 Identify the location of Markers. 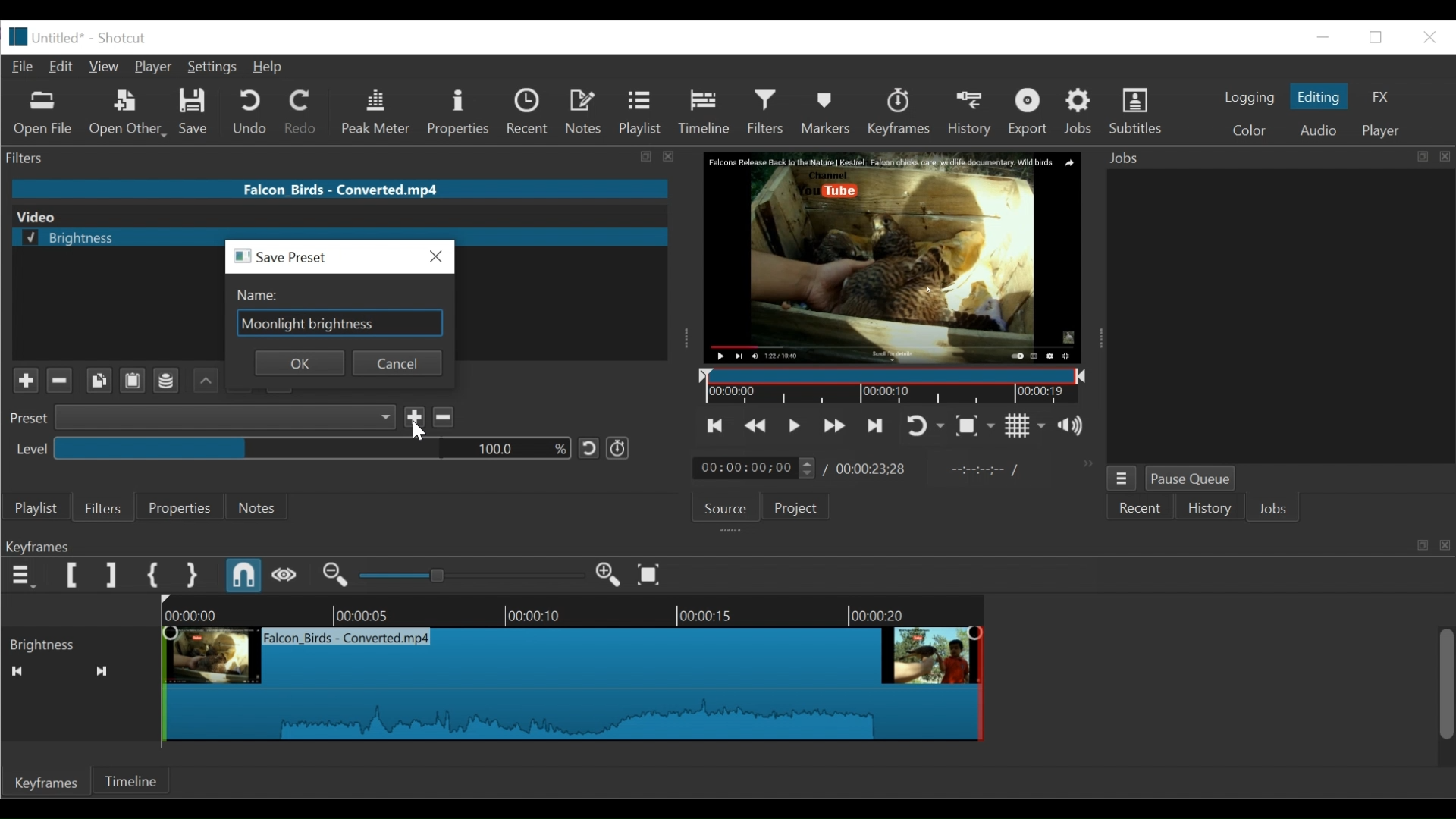
(827, 111).